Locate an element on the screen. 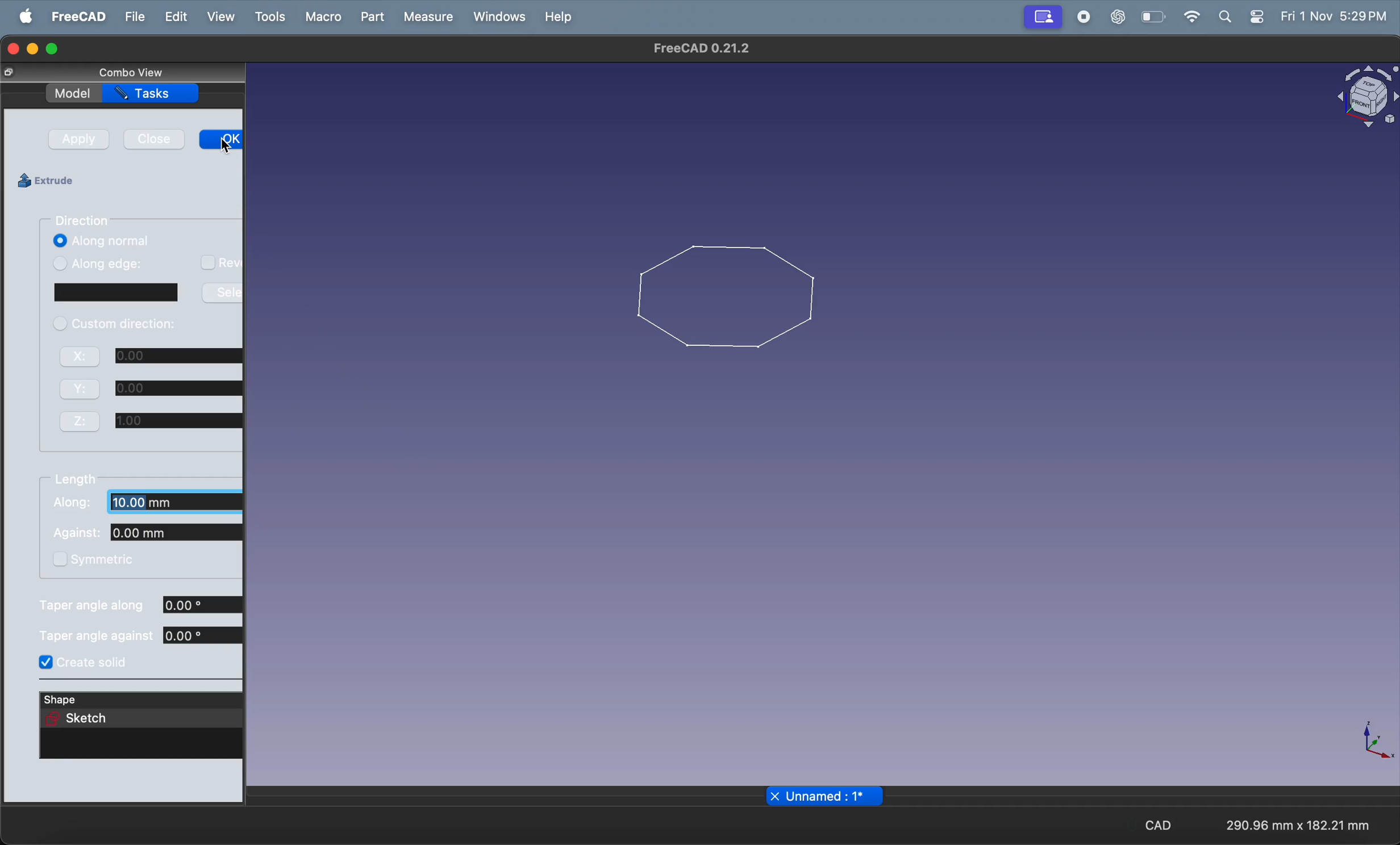 Image resolution: width=1400 pixels, height=845 pixels. ok is located at coordinates (220, 140).